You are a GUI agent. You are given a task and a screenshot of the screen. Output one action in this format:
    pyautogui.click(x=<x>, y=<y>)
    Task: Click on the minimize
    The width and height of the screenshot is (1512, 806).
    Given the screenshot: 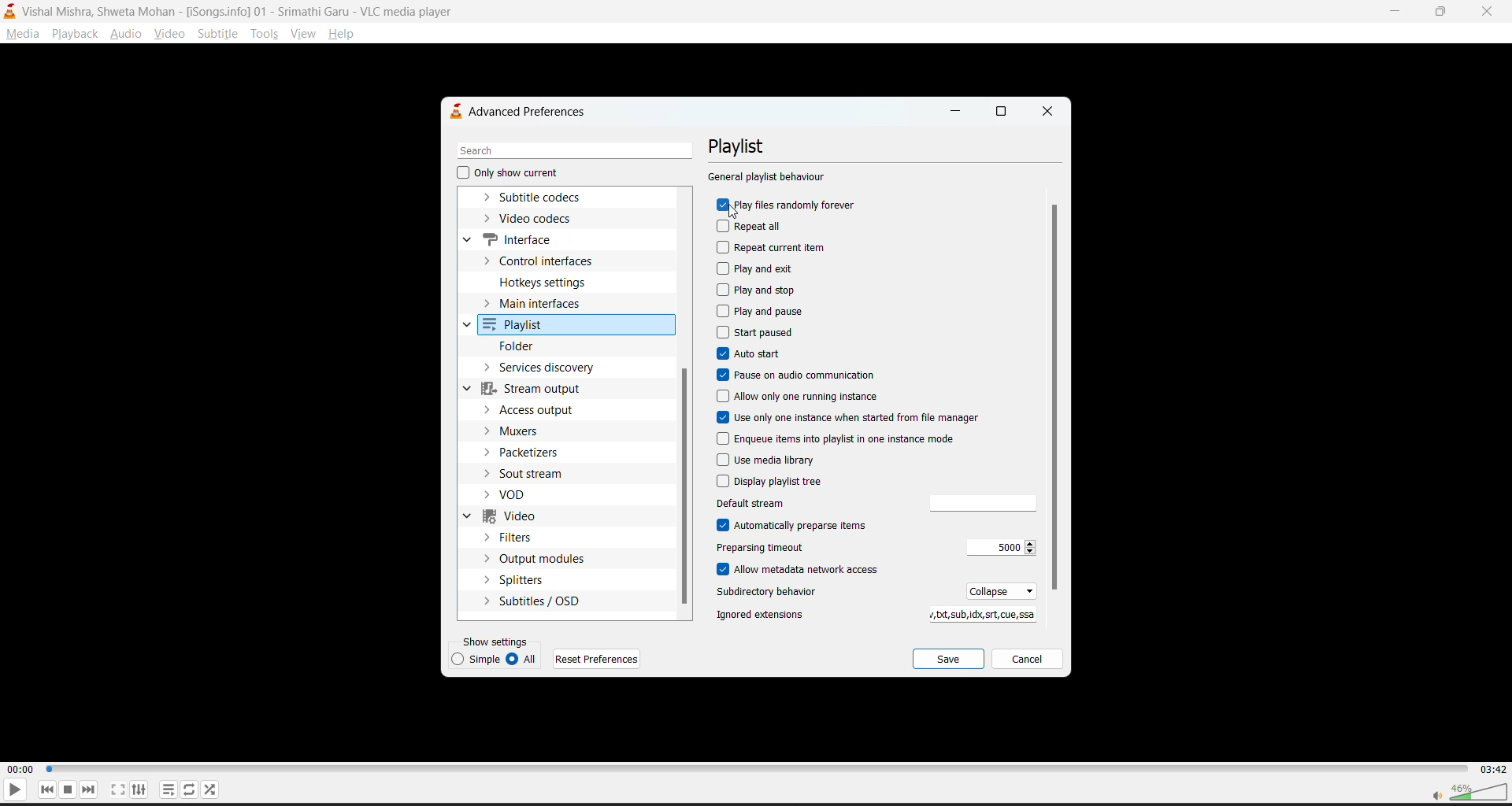 What is the action you would take?
    pyautogui.click(x=952, y=110)
    